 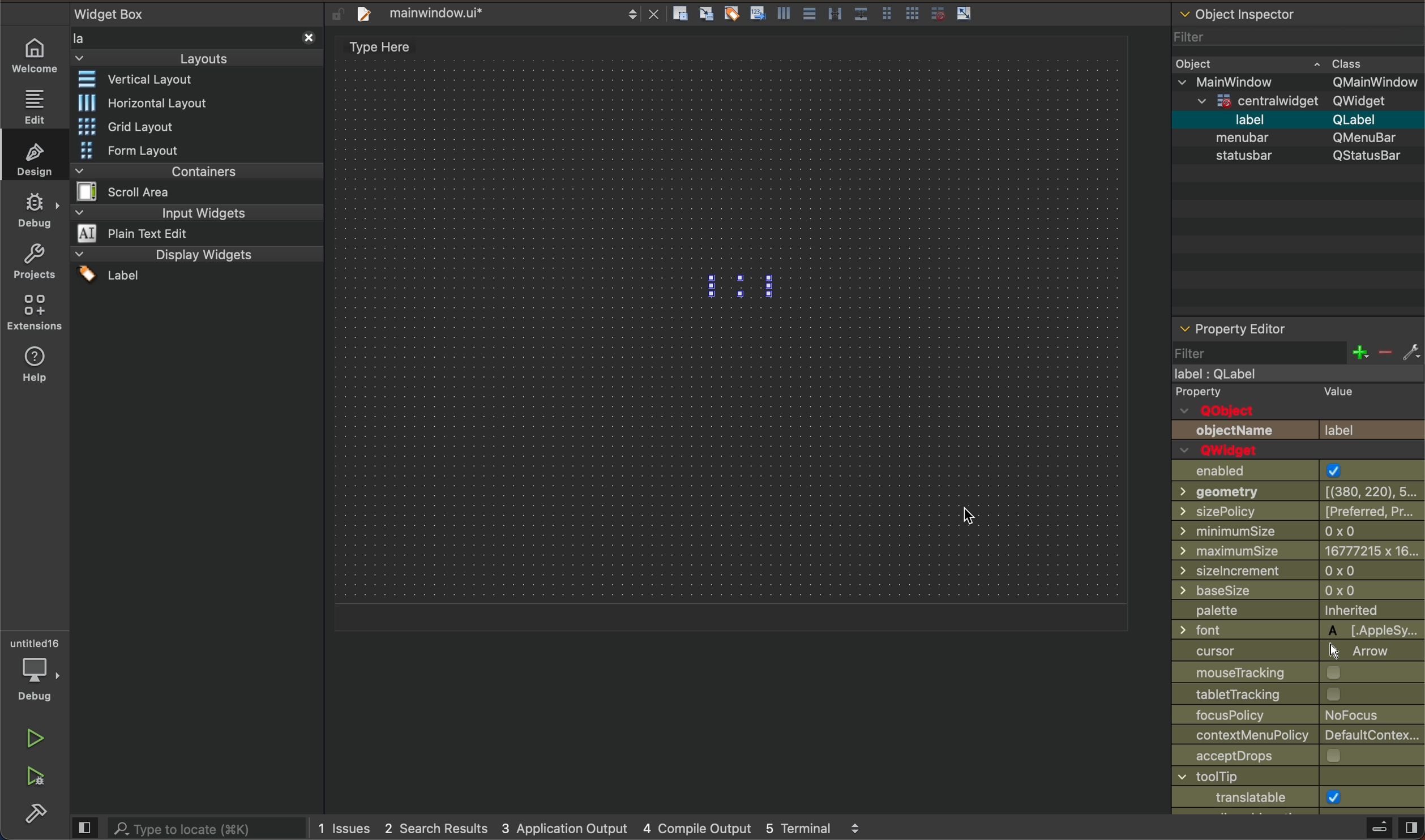 What do you see at coordinates (1299, 778) in the screenshot?
I see `` at bounding box center [1299, 778].